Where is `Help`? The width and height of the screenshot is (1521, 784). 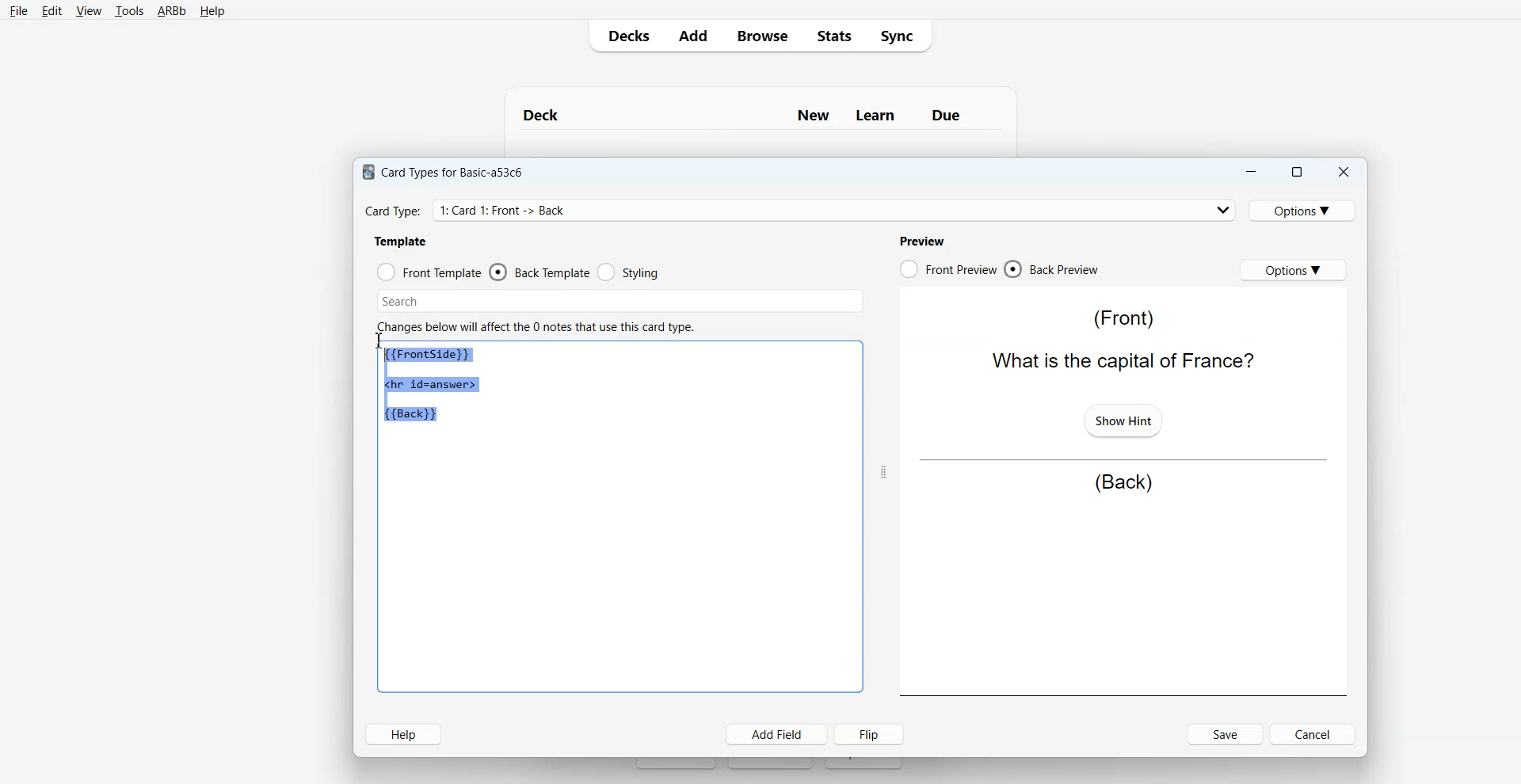
Help is located at coordinates (212, 12).